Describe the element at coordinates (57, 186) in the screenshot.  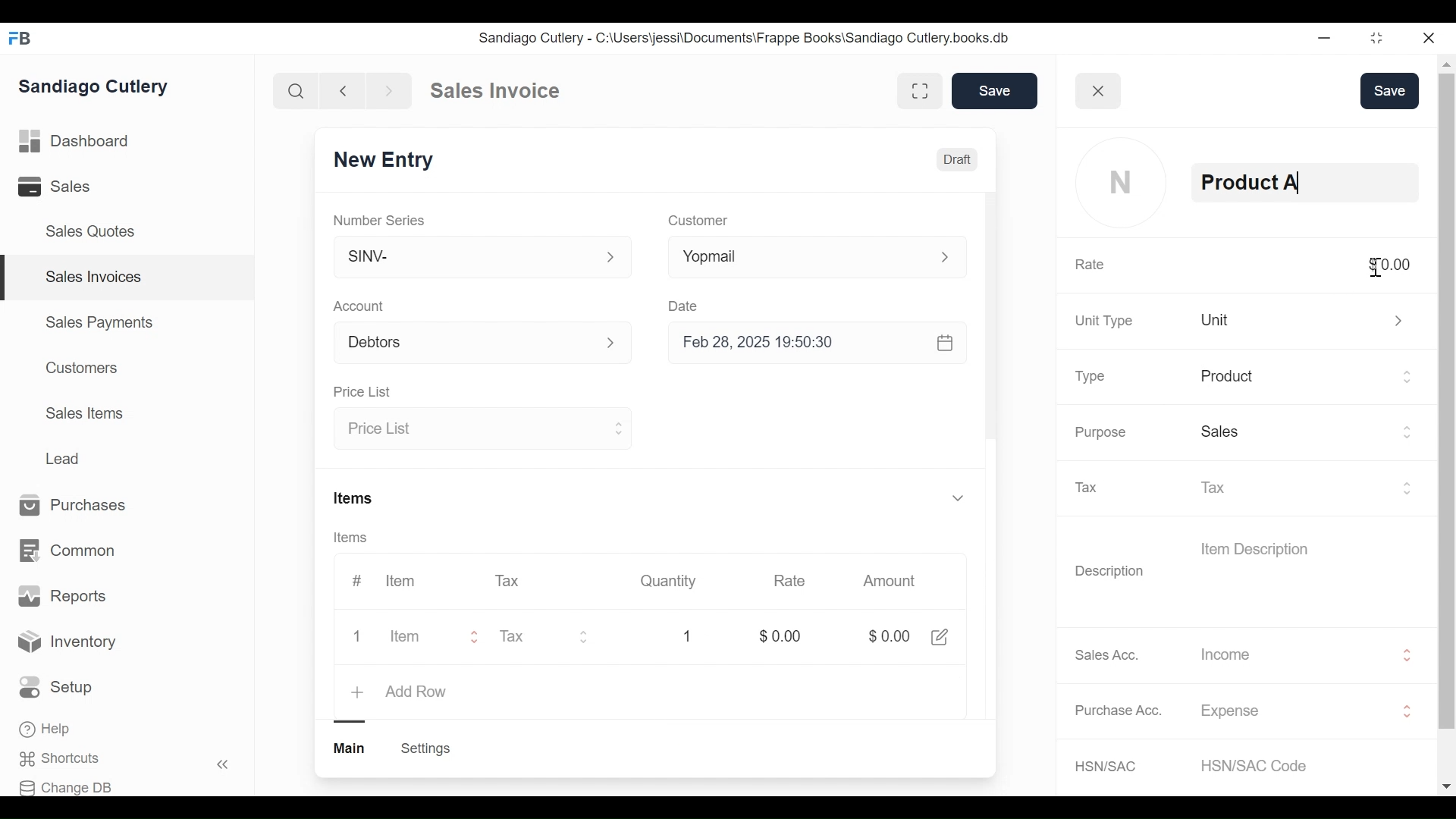
I see `Sales` at that location.